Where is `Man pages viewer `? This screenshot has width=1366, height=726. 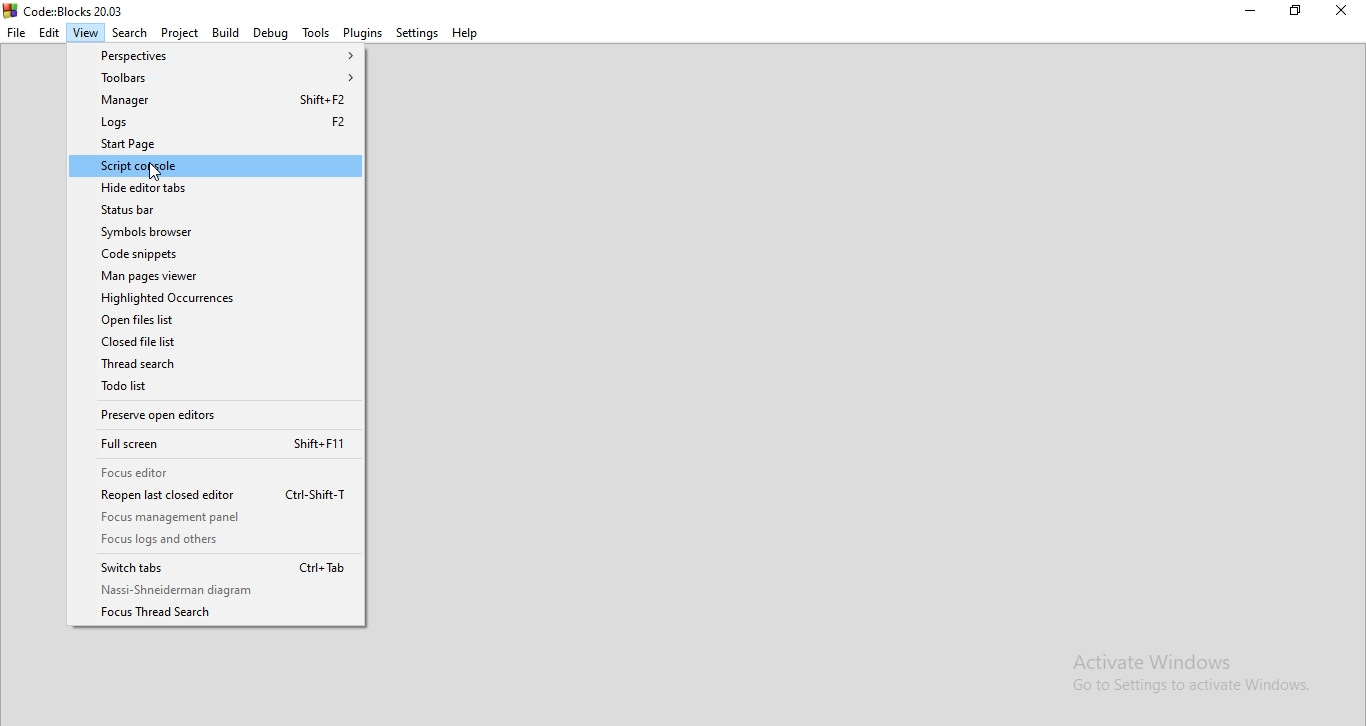 Man pages viewer  is located at coordinates (215, 276).